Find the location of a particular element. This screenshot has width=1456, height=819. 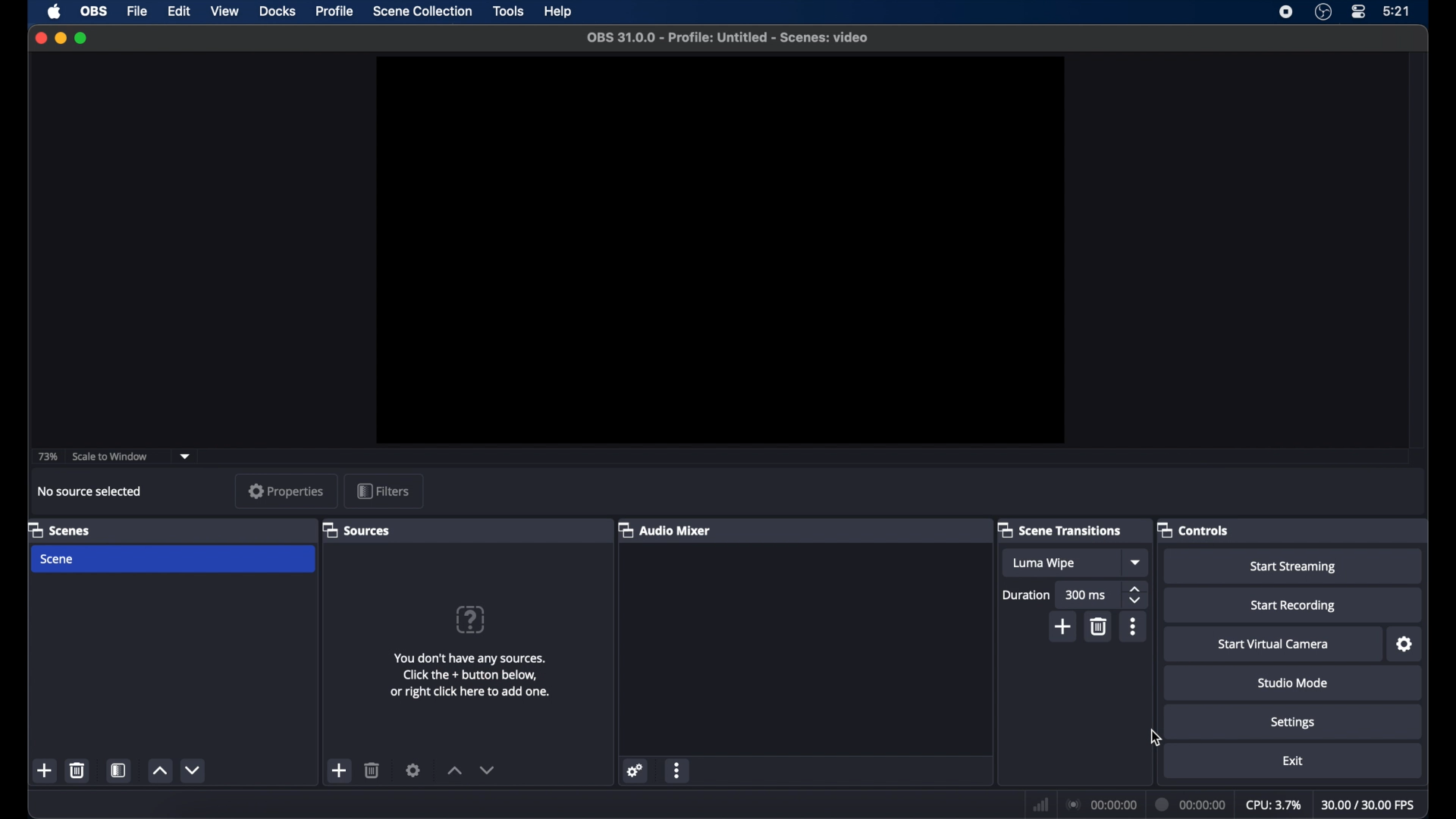

more options is located at coordinates (1133, 627).